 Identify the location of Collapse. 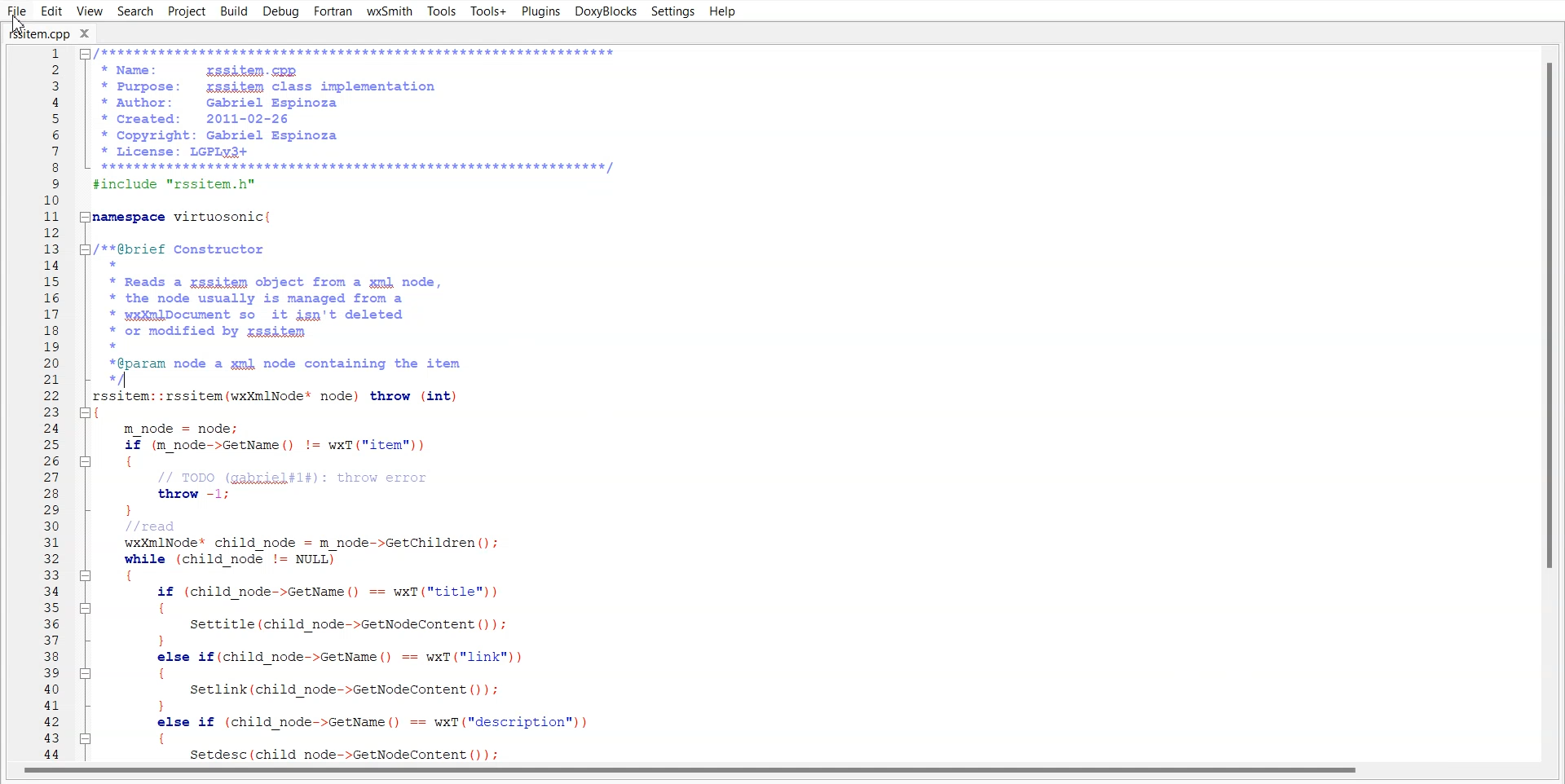
(85, 738).